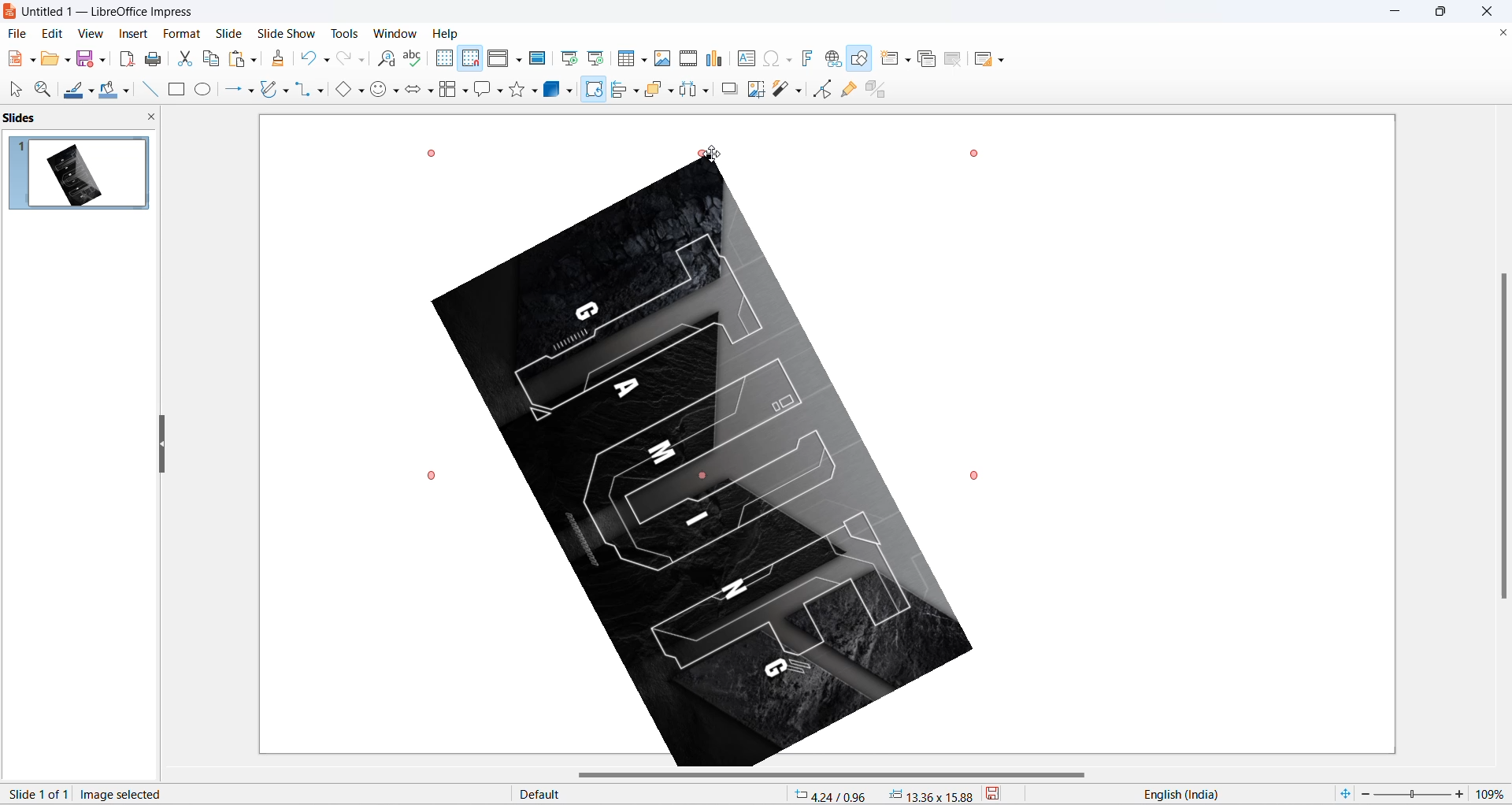 The image size is (1512, 805). Describe the element at coordinates (519, 61) in the screenshot. I see `display views option` at that location.